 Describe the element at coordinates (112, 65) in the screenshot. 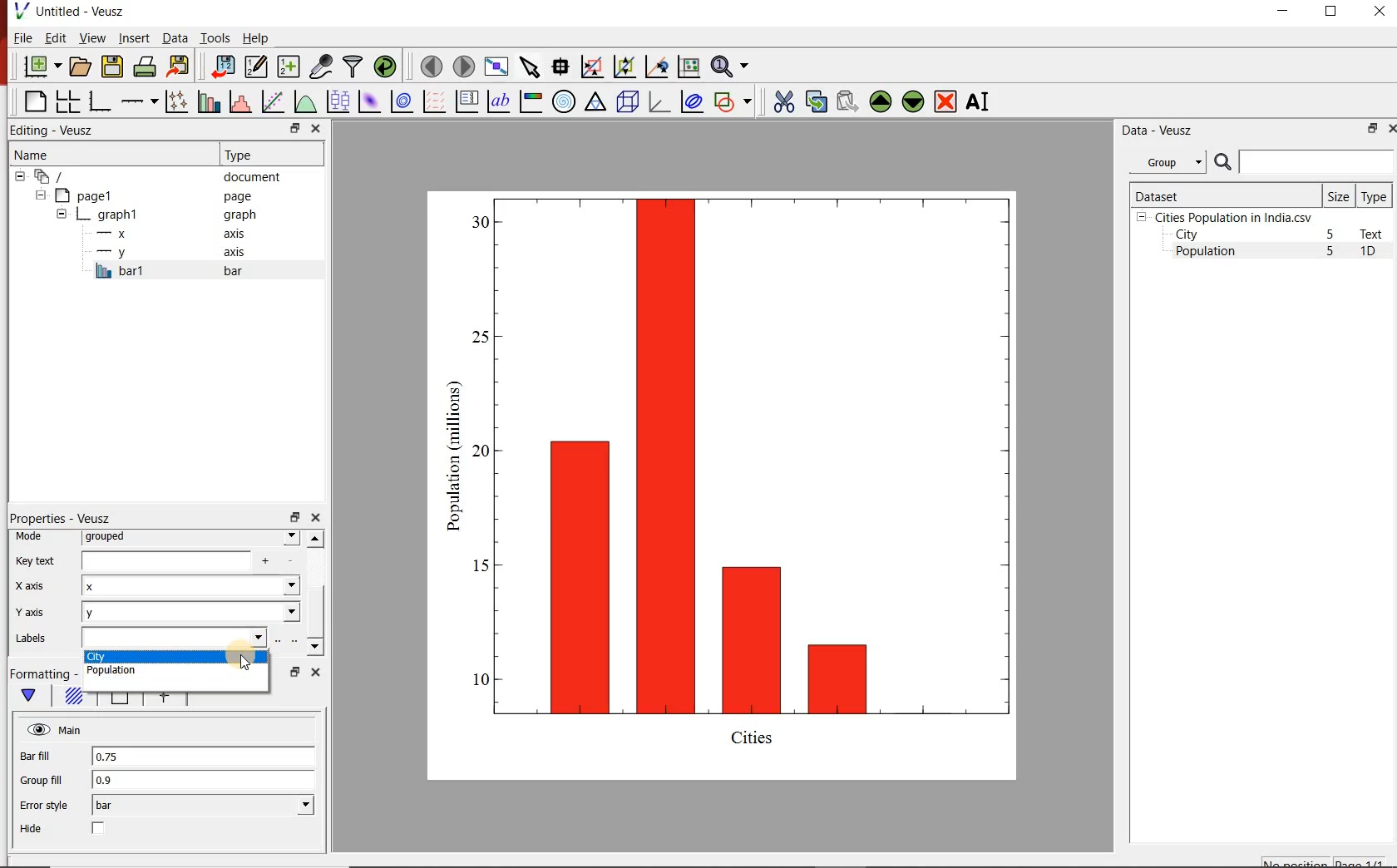

I see `save the document` at that location.